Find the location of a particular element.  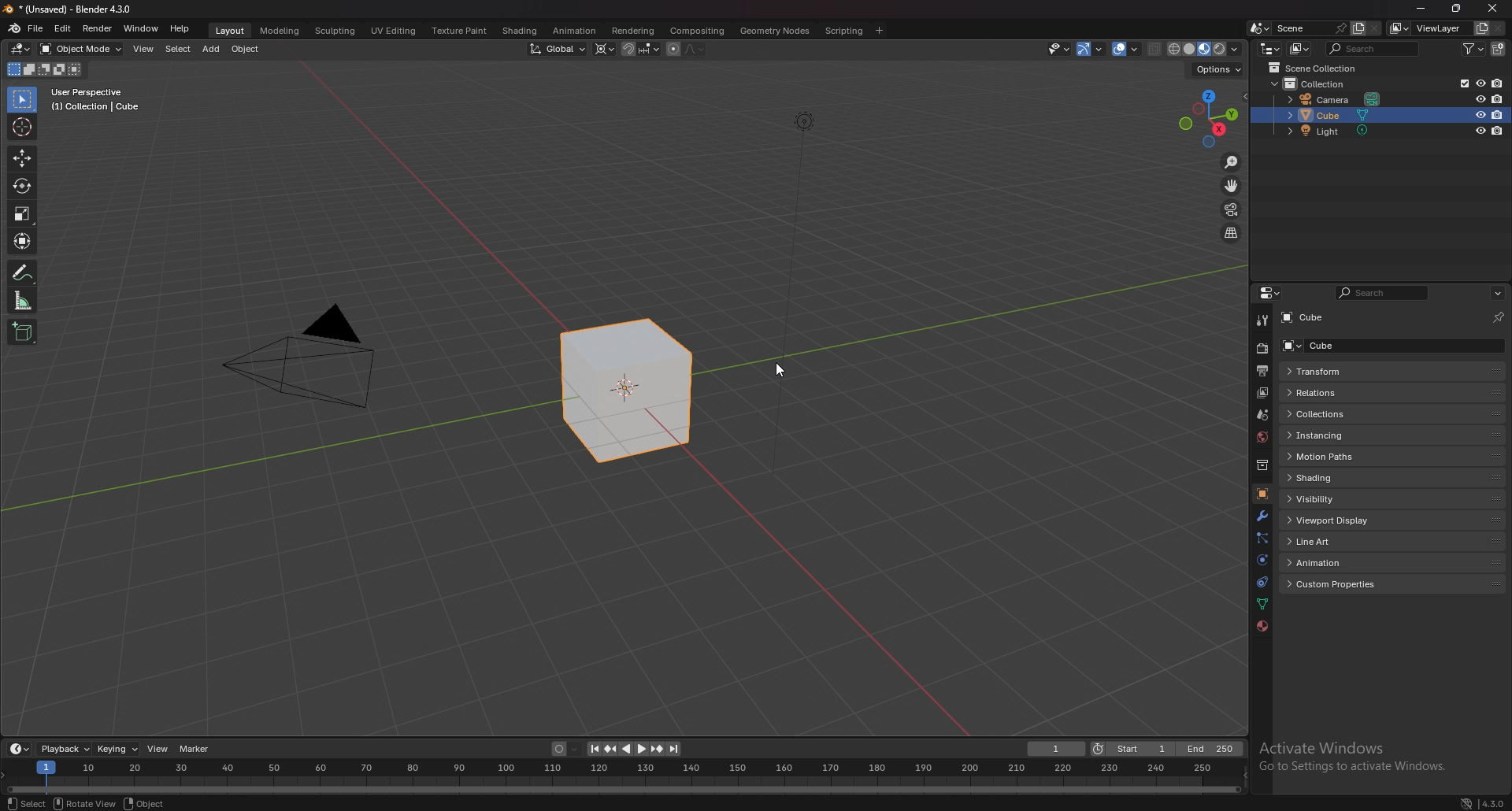

keying is located at coordinates (116, 750).